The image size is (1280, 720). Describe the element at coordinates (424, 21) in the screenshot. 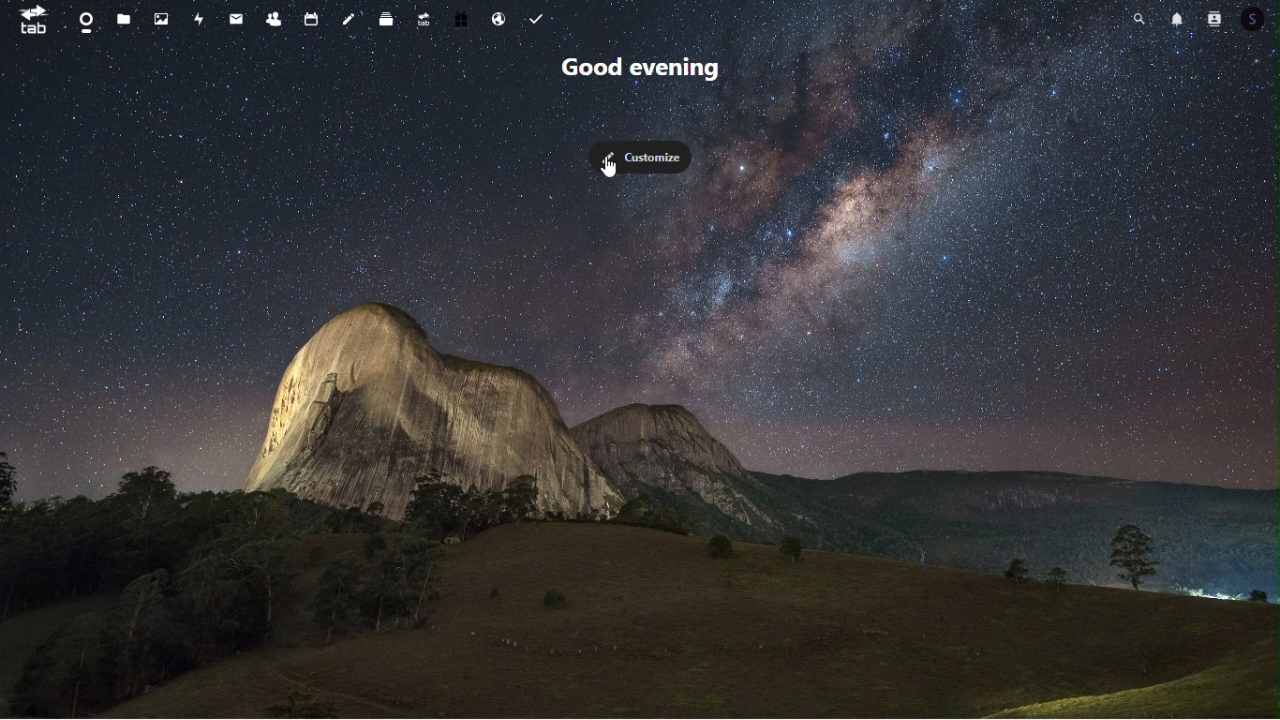

I see `upgrade` at that location.